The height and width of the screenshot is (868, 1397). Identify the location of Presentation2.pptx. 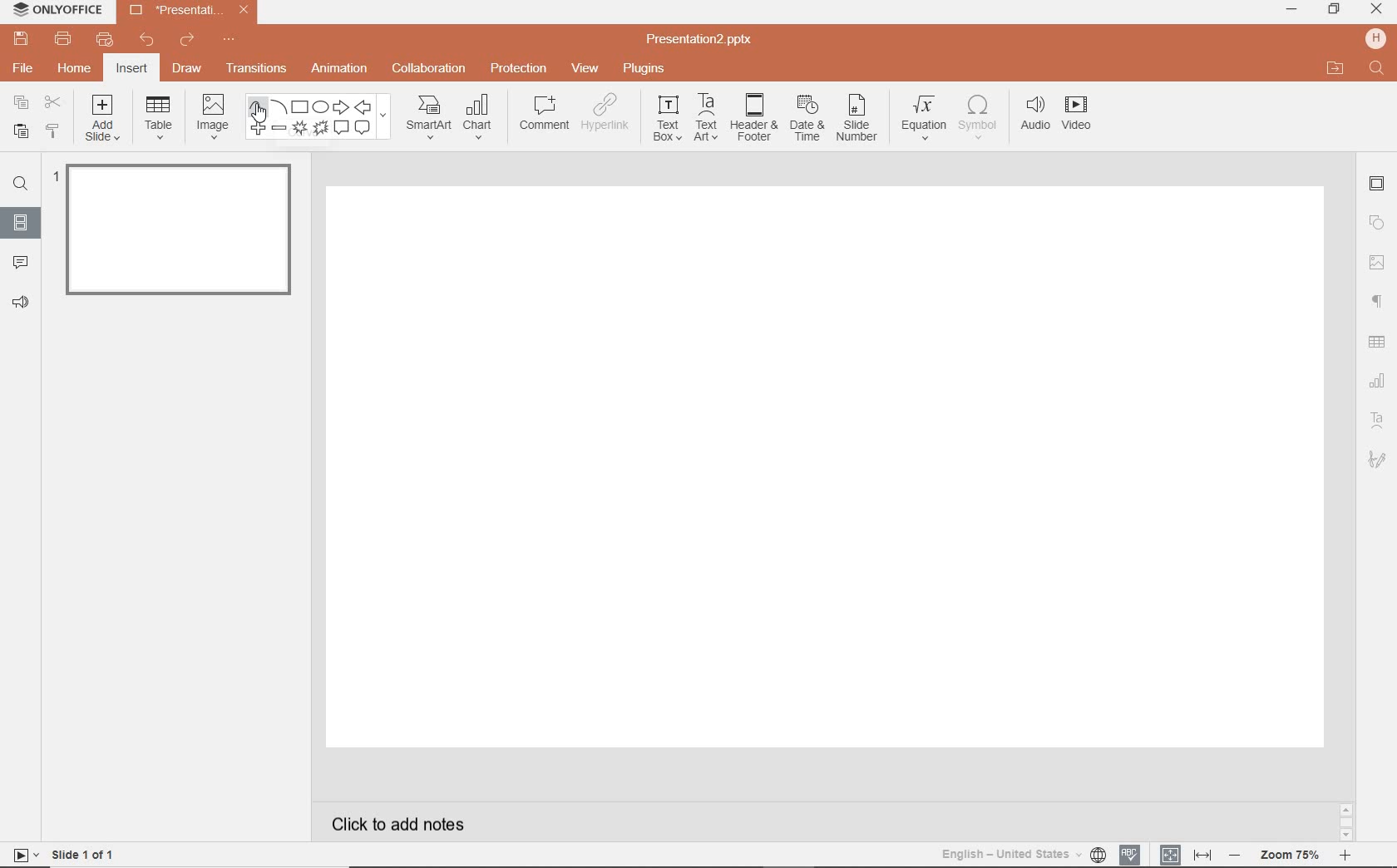
(189, 13).